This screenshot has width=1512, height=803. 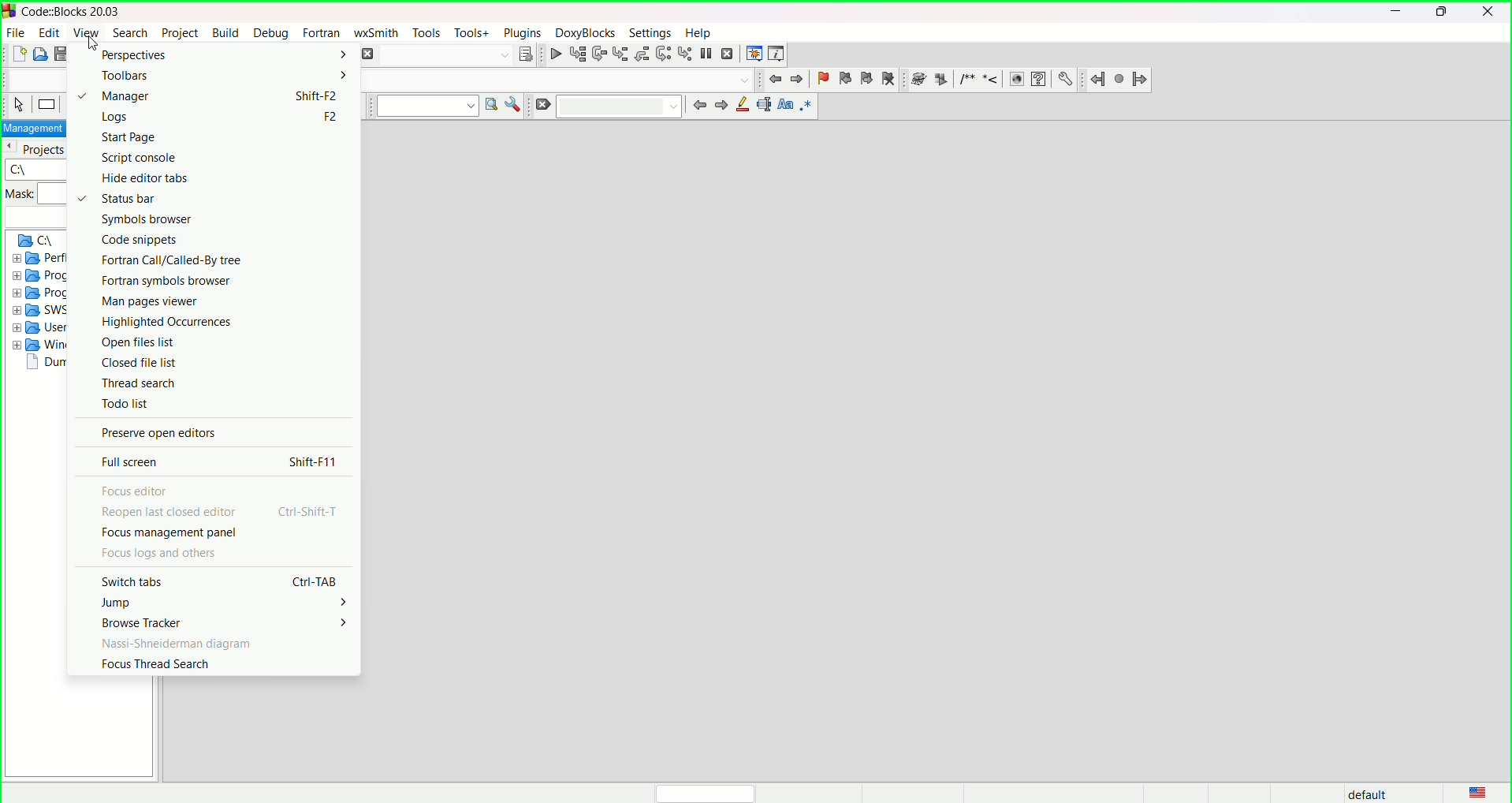 I want to click on focus thread search, so click(x=153, y=665).